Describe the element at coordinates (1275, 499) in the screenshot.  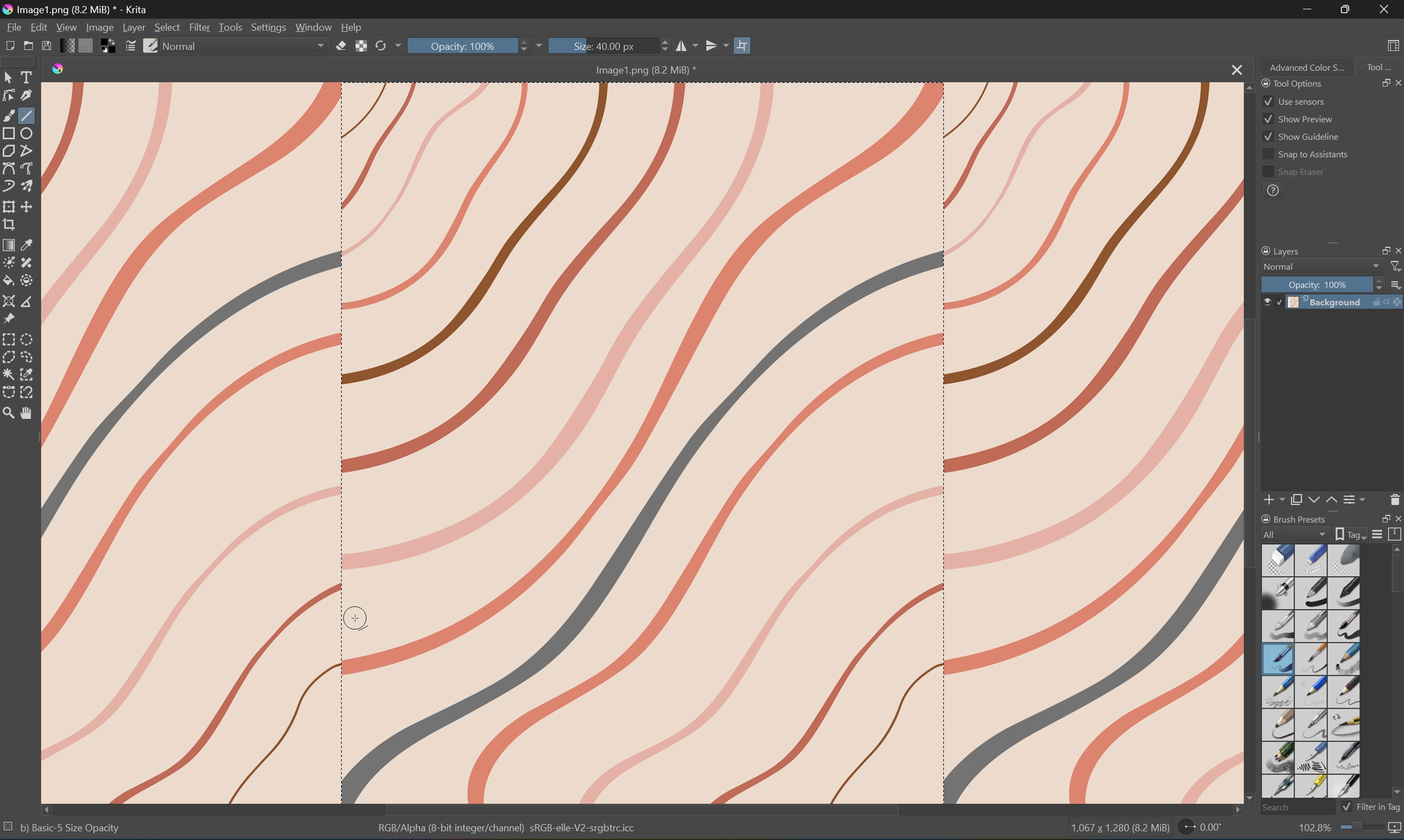
I see `Add new layer` at that location.